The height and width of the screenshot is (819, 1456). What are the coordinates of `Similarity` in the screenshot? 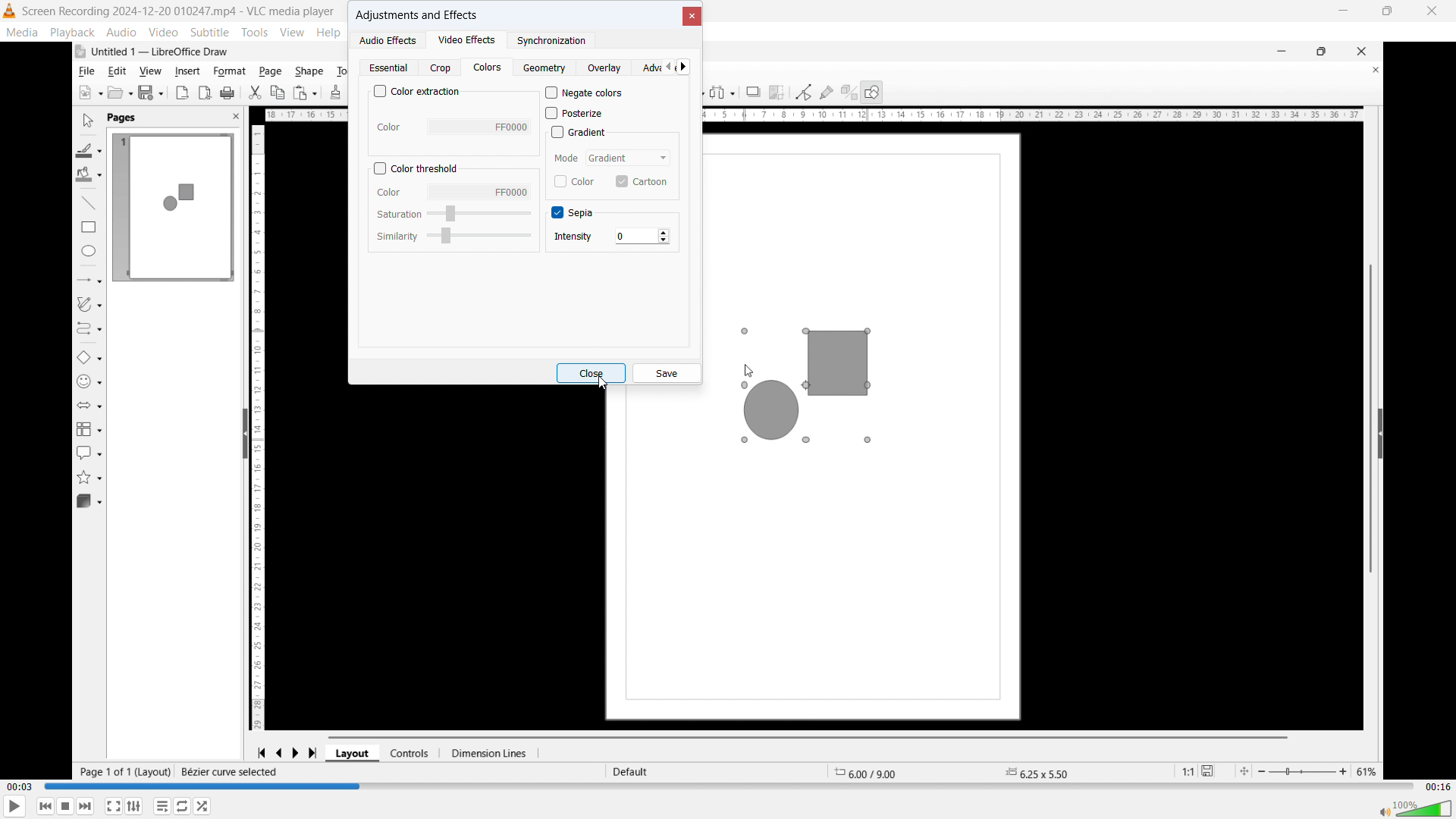 It's located at (397, 237).